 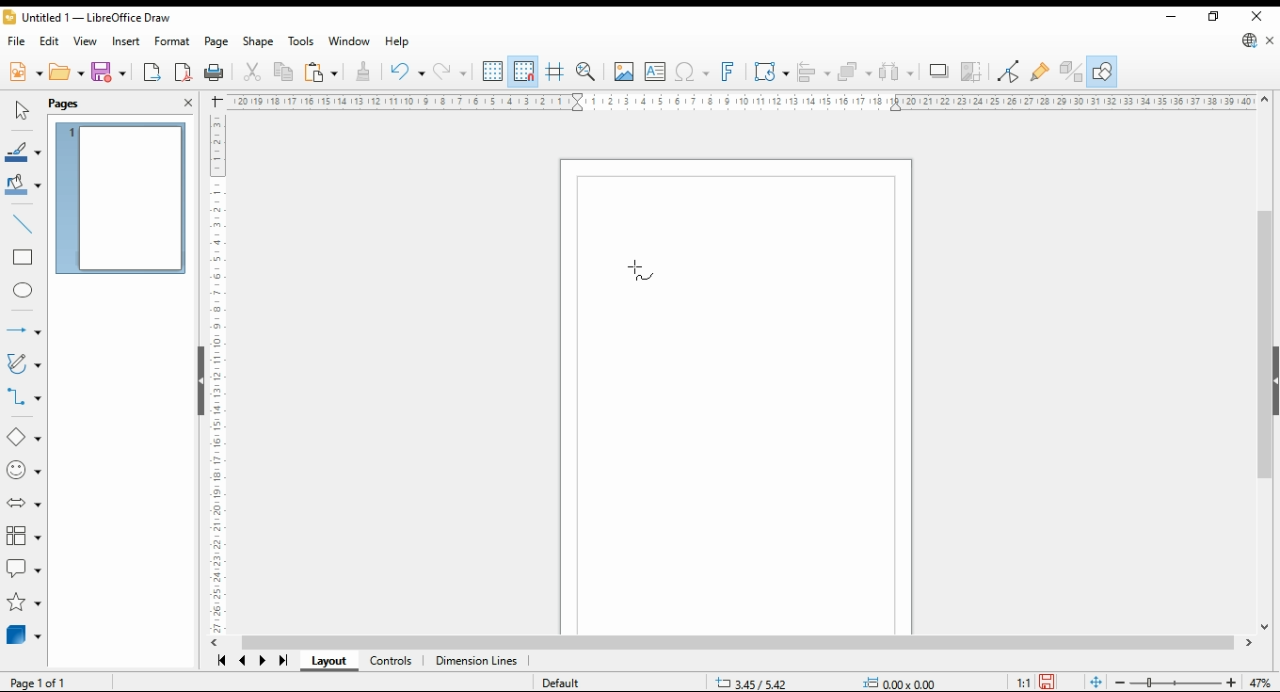 I want to click on previous page, so click(x=244, y=660).